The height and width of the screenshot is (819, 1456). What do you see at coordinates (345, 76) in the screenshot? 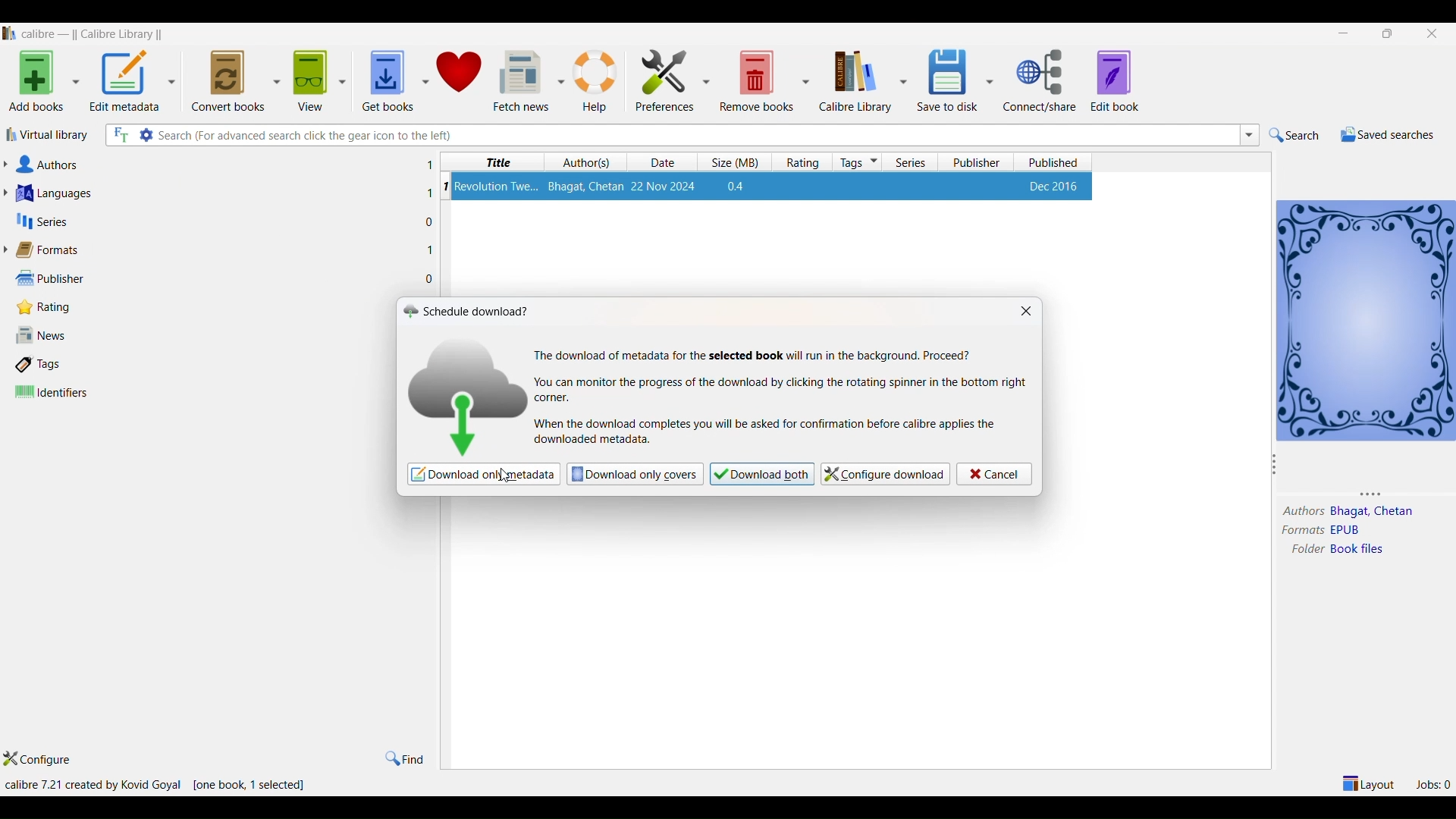
I see `view options dropdown button` at bounding box center [345, 76].